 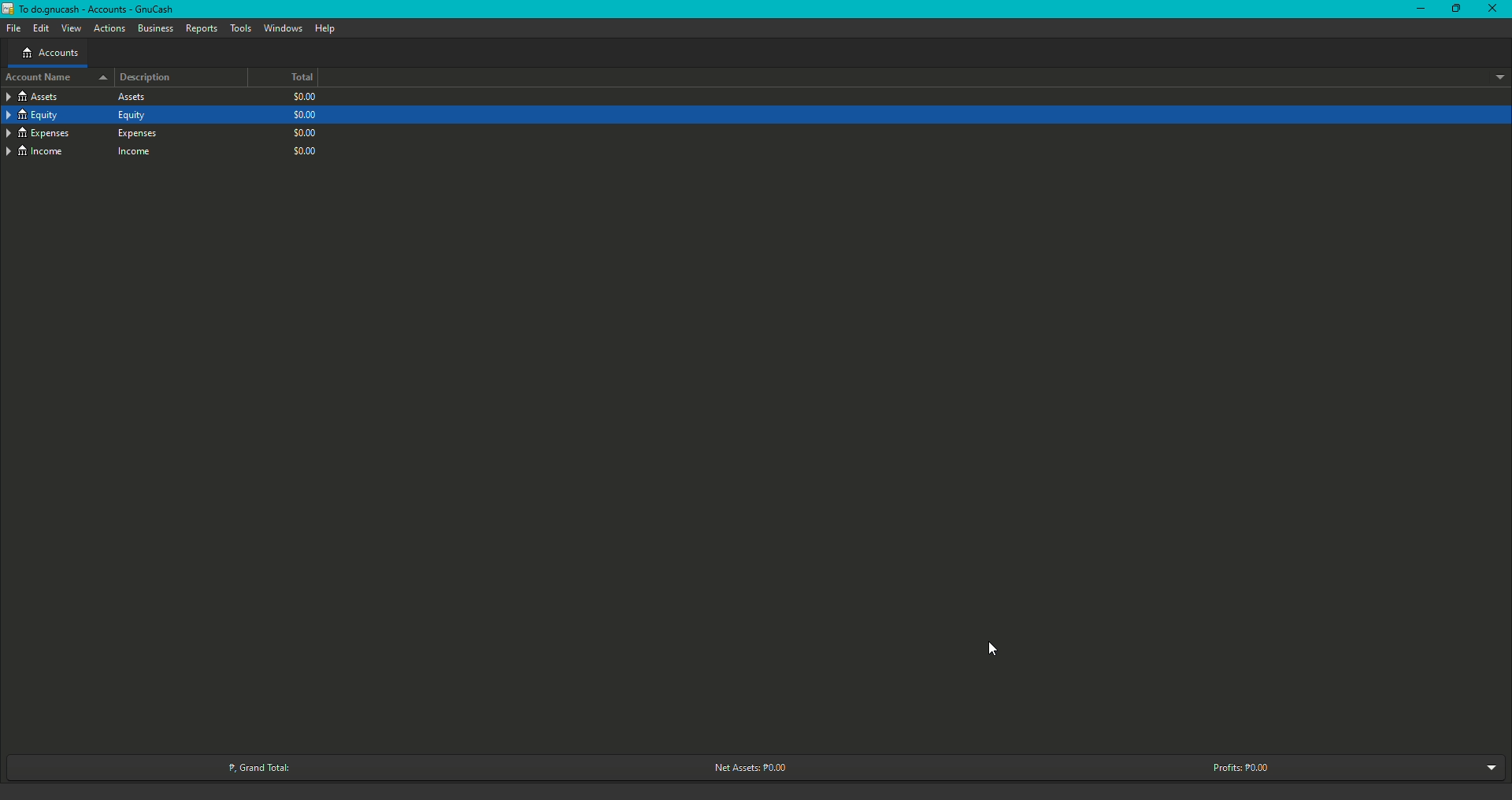 I want to click on Windows, so click(x=283, y=28).